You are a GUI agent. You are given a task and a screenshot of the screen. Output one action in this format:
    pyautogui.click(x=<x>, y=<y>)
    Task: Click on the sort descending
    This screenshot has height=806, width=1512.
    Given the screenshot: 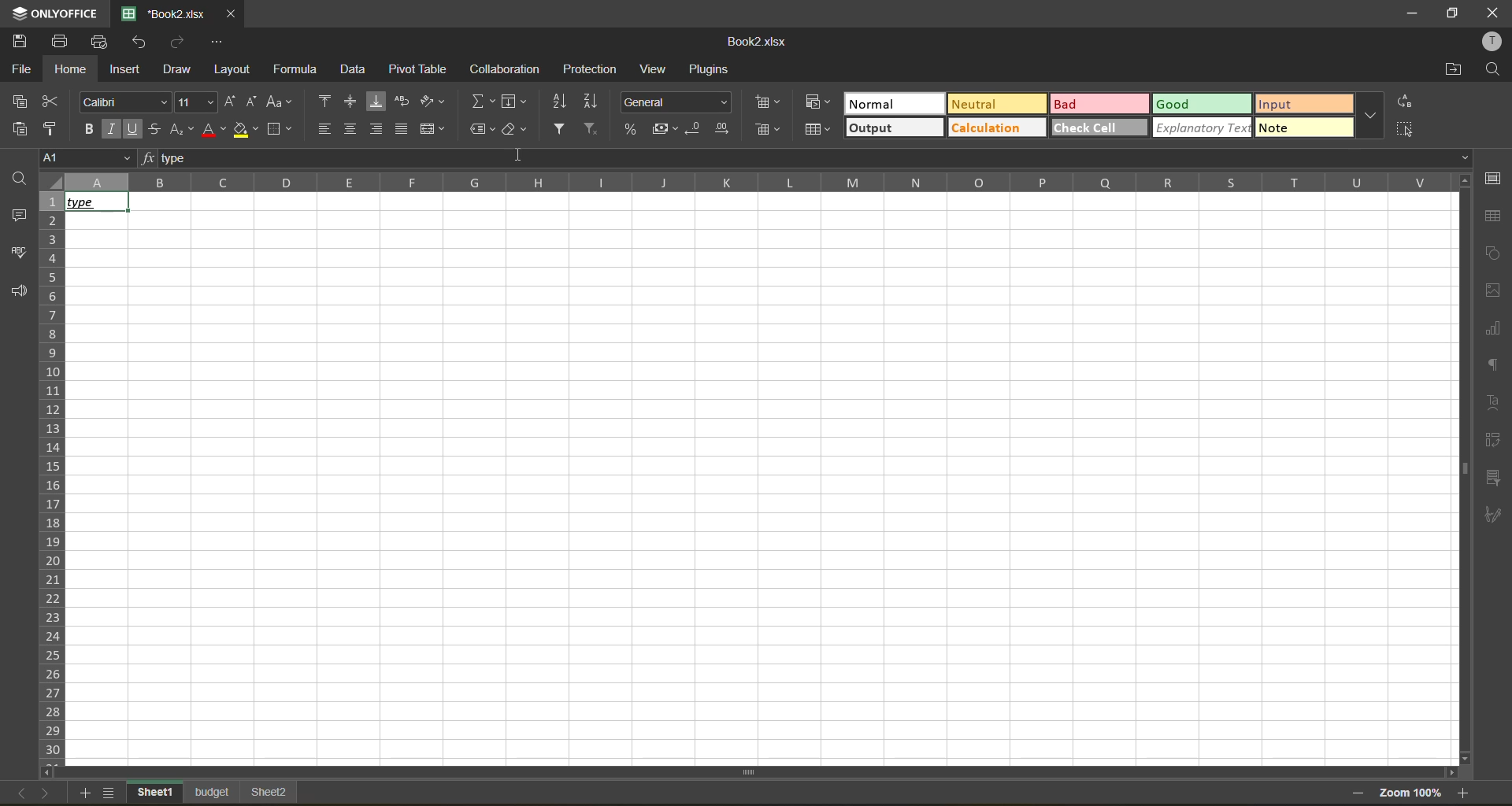 What is the action you would take?
    pyautogui.click(x=592, y=100)
    